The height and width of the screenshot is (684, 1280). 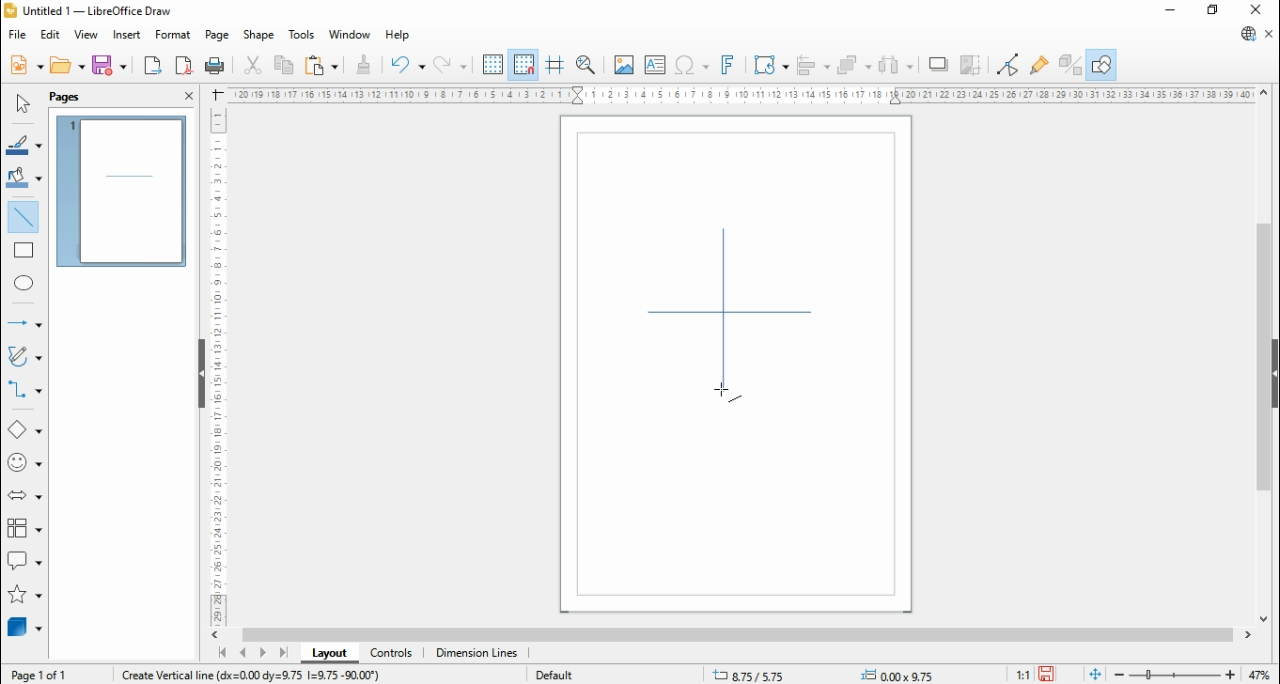 What do you see at coordinates (46, 675) in the screenshot?
I see `page 1 of 1` at bounding box center [46, 675].